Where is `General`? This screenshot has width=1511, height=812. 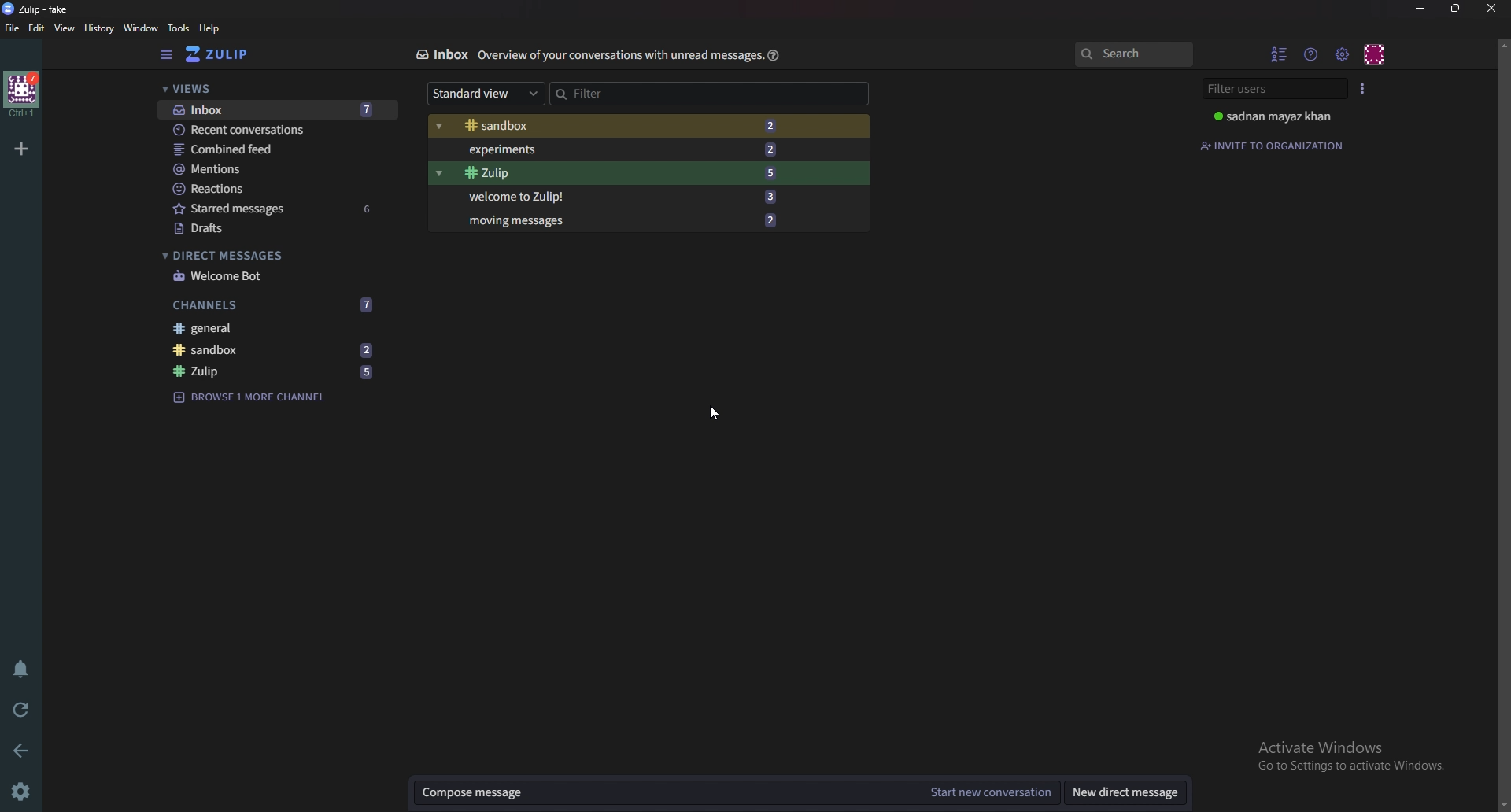
General is located at coordinates (275, 330).